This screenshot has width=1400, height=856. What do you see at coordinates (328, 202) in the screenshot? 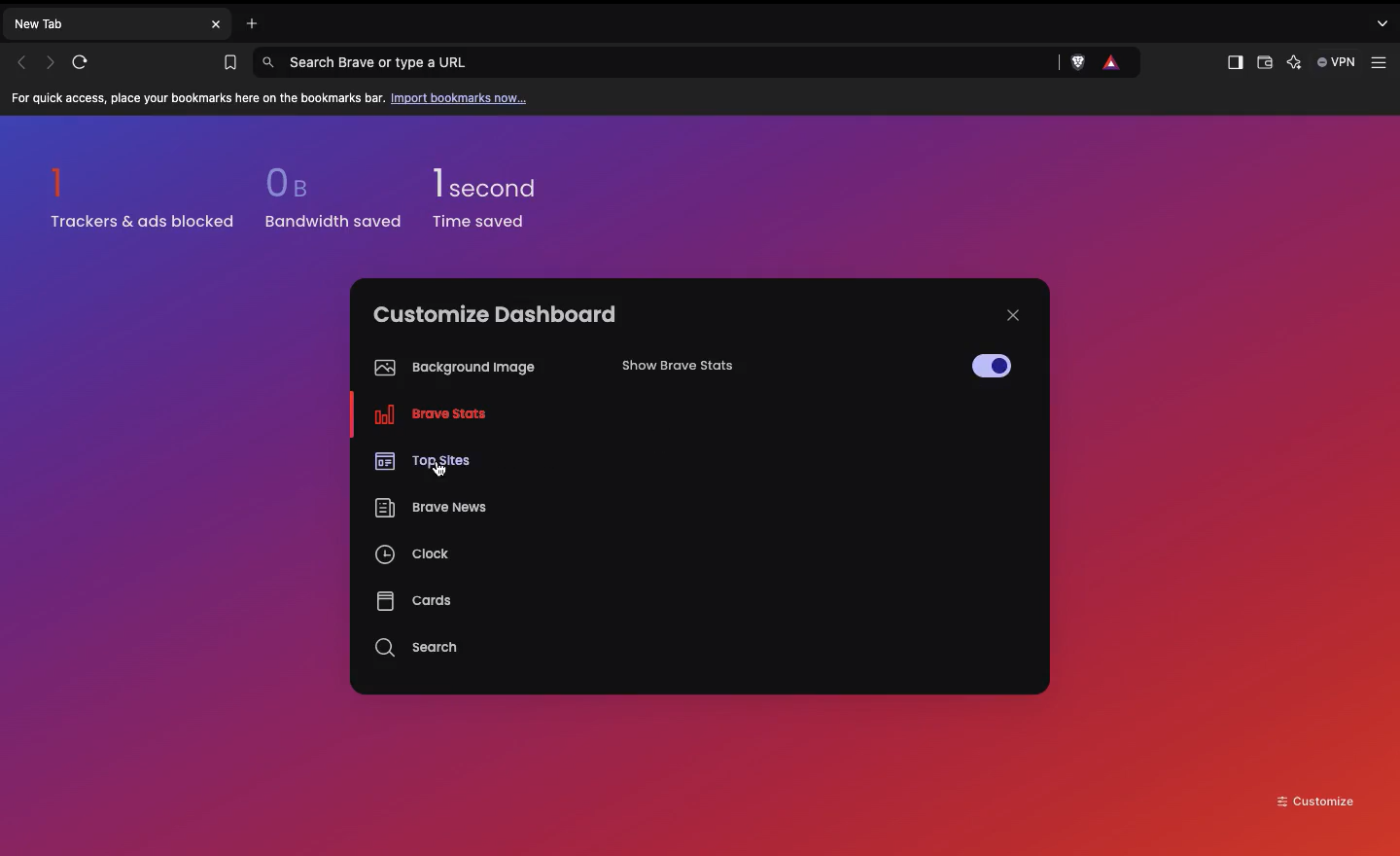
I see `0b bandwidth saved` at bounding box center [328, 202].